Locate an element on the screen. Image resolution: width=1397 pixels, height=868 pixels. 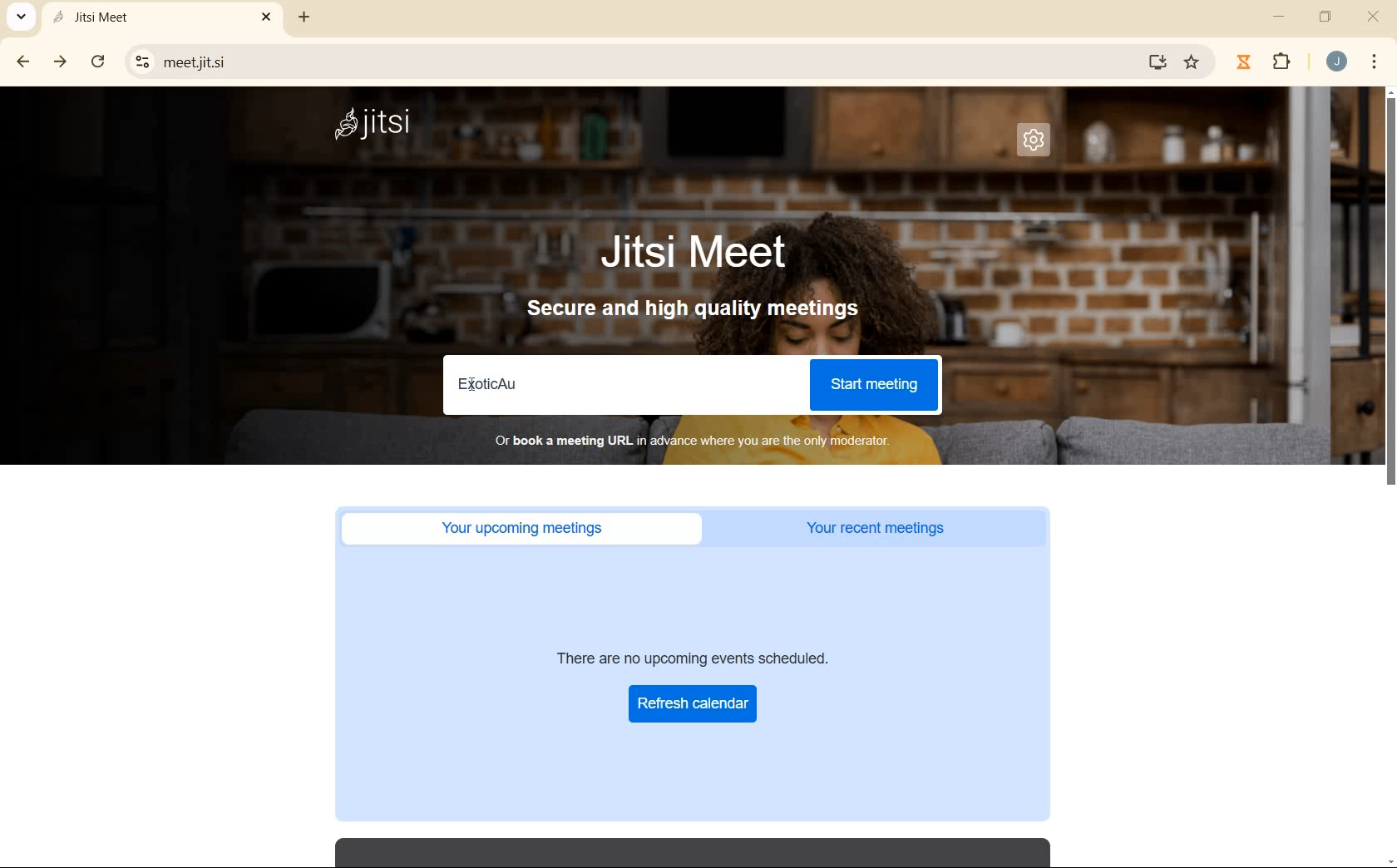
address bar is located at coordinates (649, 61).